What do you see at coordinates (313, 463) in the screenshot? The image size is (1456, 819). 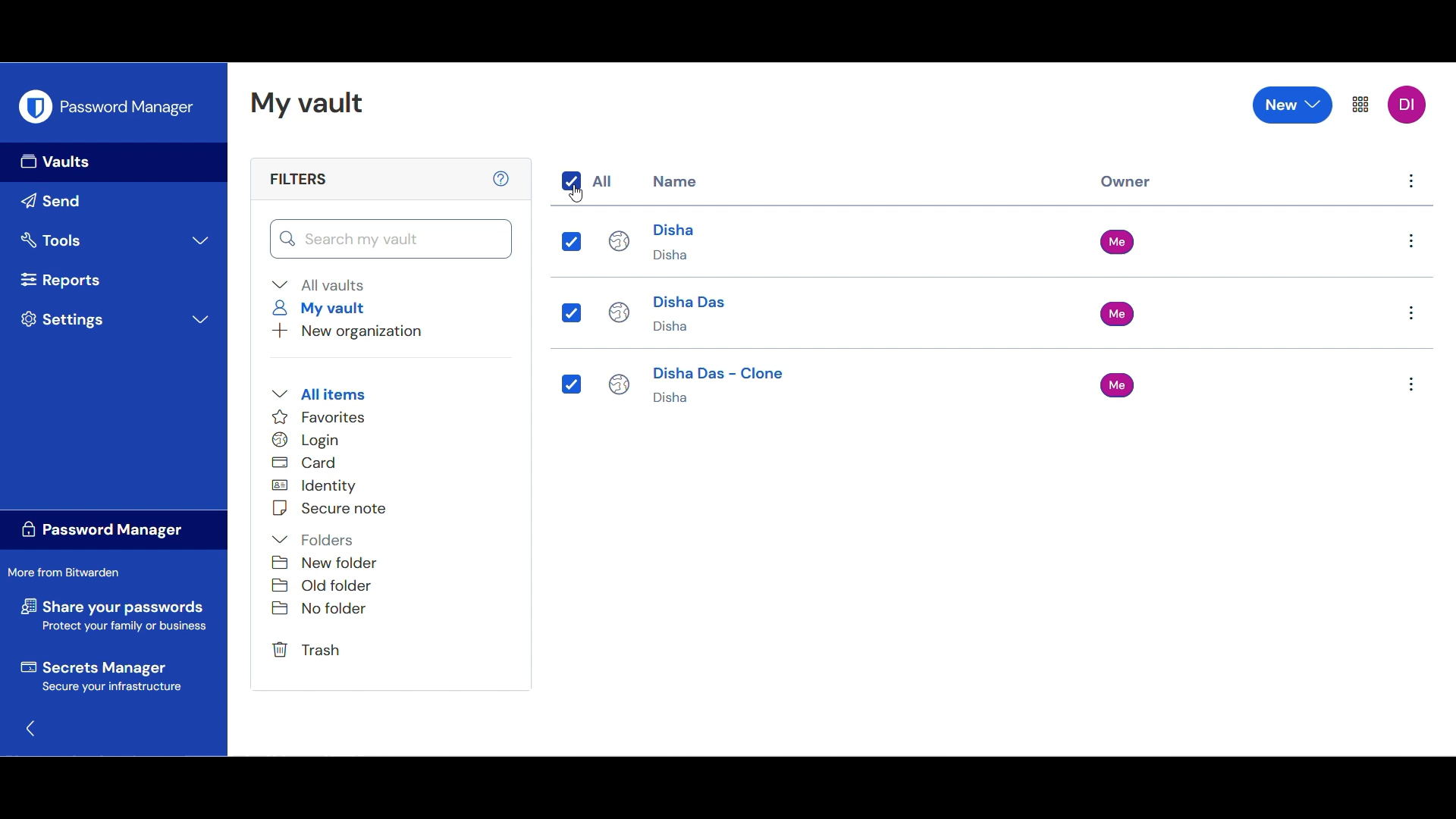 I see `Card` at bounding box center [313, 463].